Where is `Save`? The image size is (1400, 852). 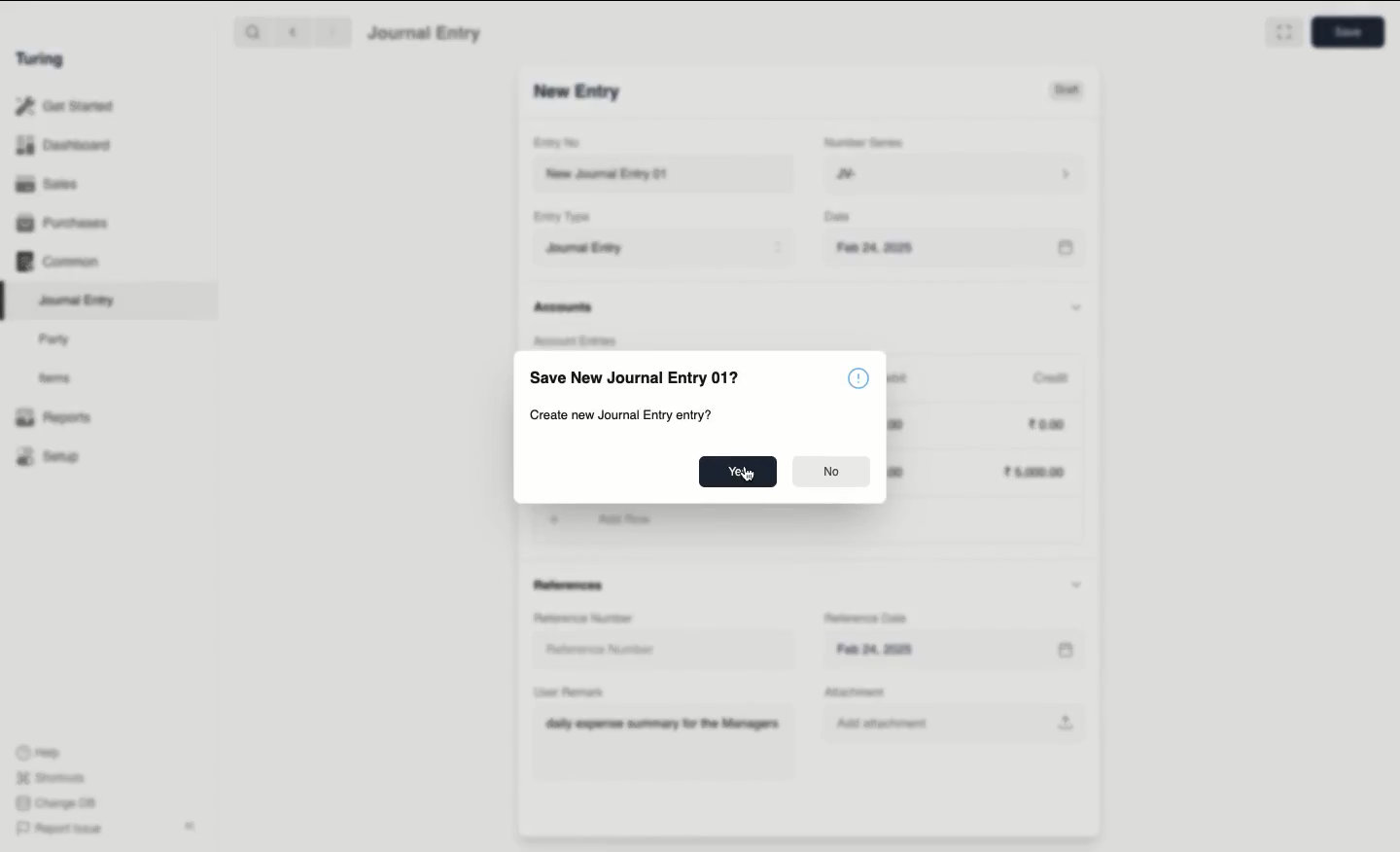
Save is located at coordinates (1348, 32).